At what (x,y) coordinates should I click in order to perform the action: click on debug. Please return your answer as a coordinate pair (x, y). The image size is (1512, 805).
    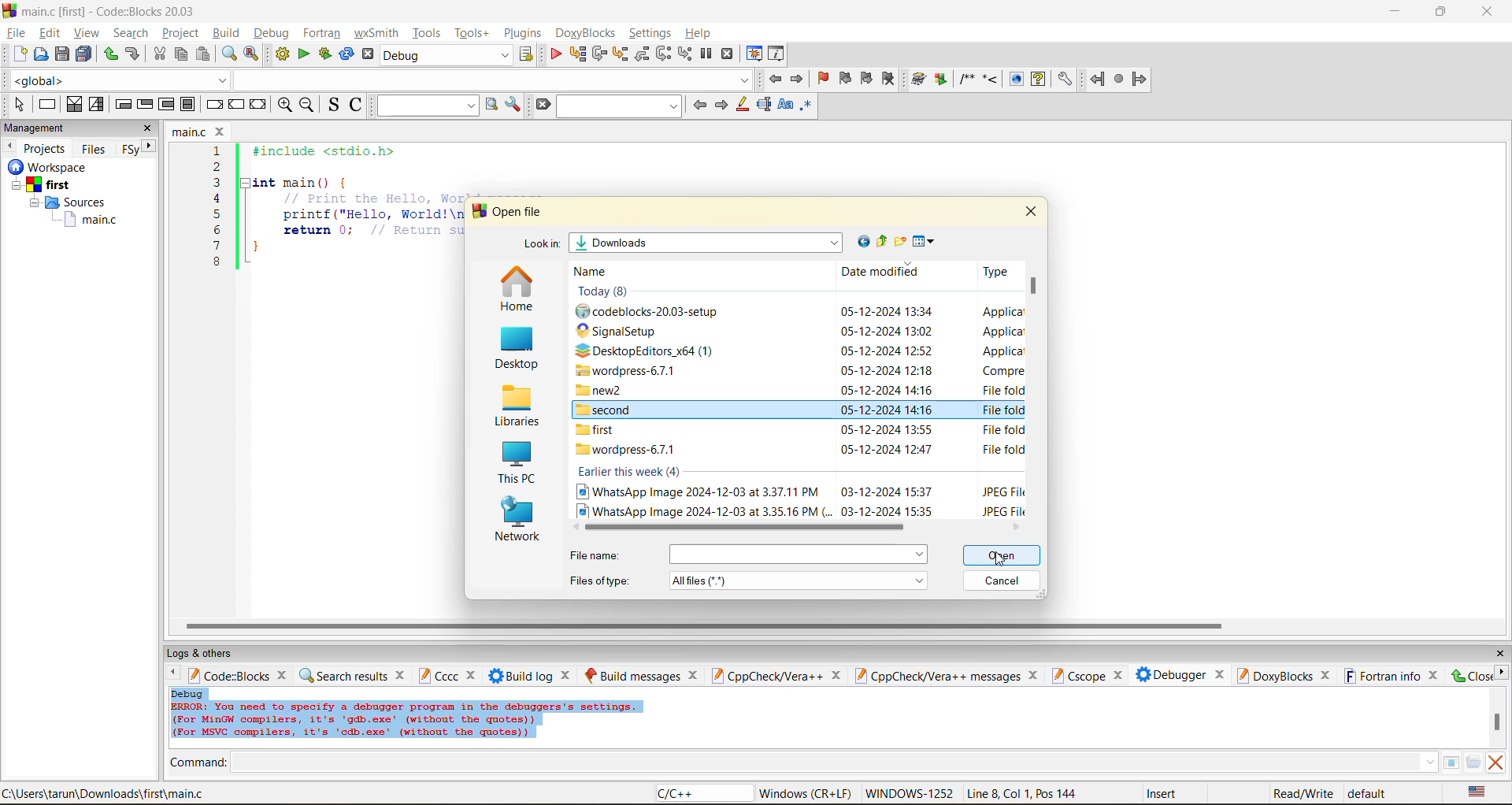
    Looking at the image, I should click on (269, 33).